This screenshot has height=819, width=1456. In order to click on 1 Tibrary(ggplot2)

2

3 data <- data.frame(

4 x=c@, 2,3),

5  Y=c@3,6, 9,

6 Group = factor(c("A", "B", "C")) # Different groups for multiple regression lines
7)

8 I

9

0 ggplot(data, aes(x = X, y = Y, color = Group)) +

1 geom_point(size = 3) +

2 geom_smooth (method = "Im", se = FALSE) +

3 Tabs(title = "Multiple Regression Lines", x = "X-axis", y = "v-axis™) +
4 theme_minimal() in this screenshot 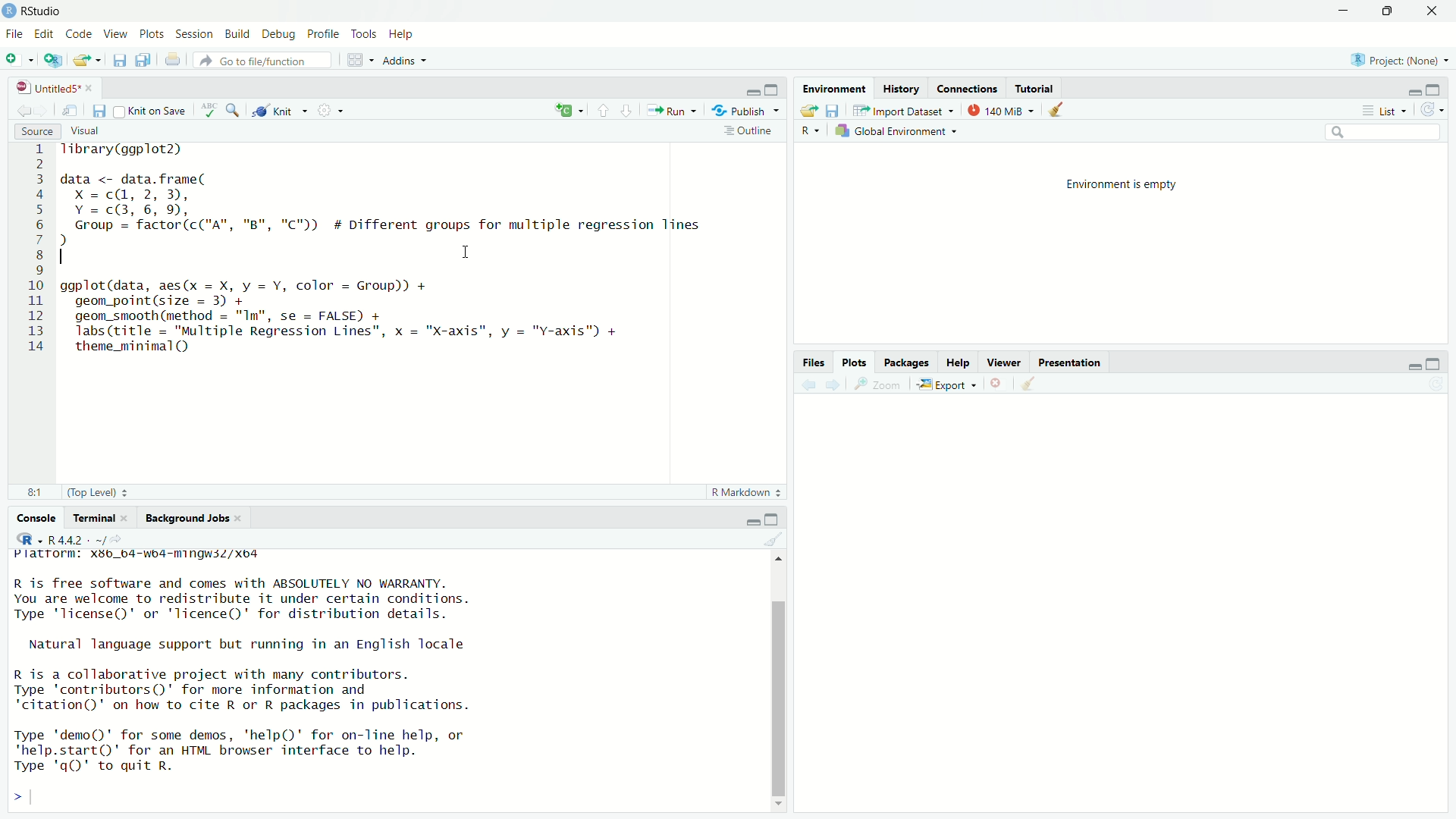, I will do `click(354, 256)`.